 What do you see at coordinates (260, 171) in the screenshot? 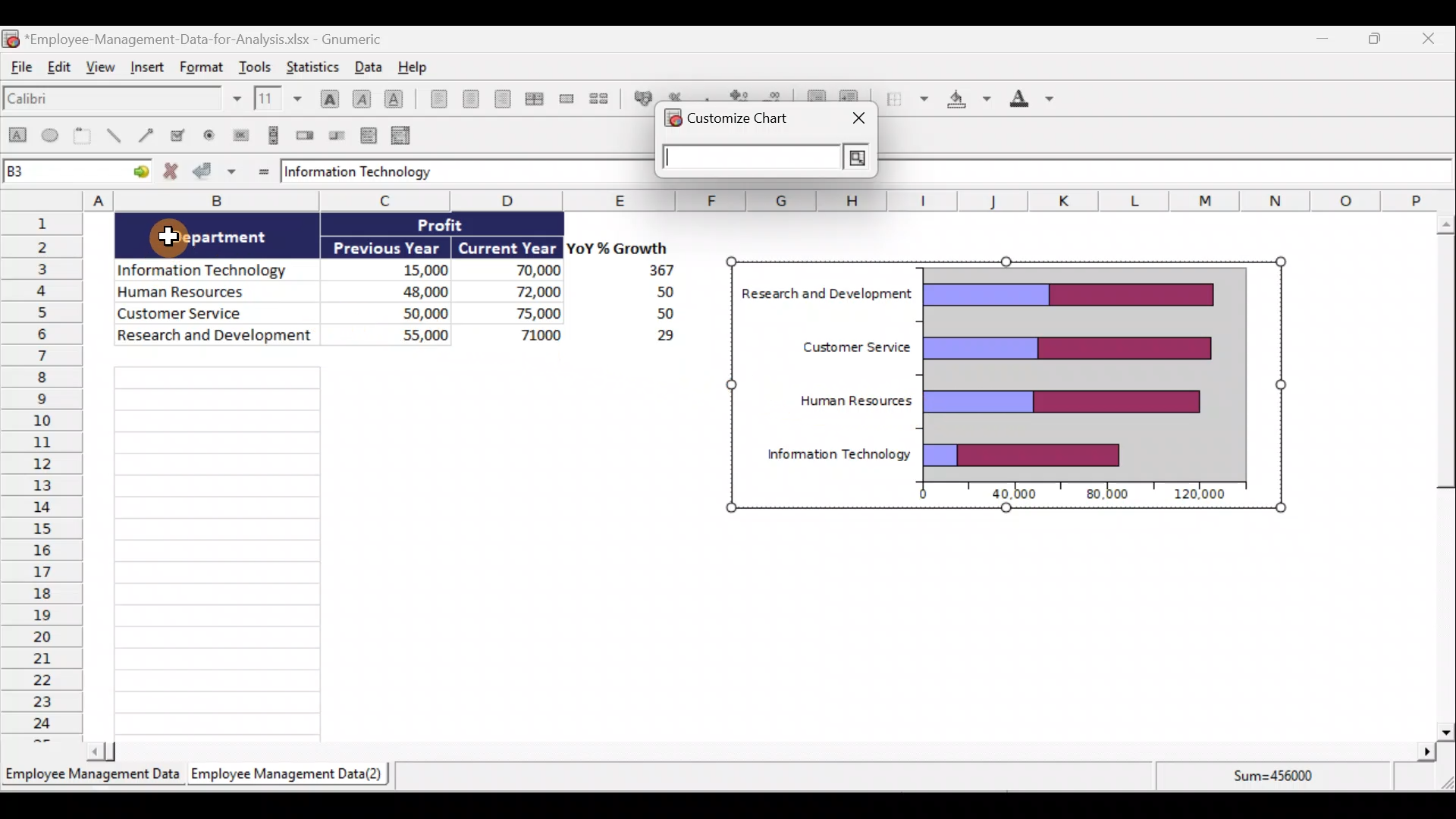
I see `Enter formula` at bounding box center [260, 171].